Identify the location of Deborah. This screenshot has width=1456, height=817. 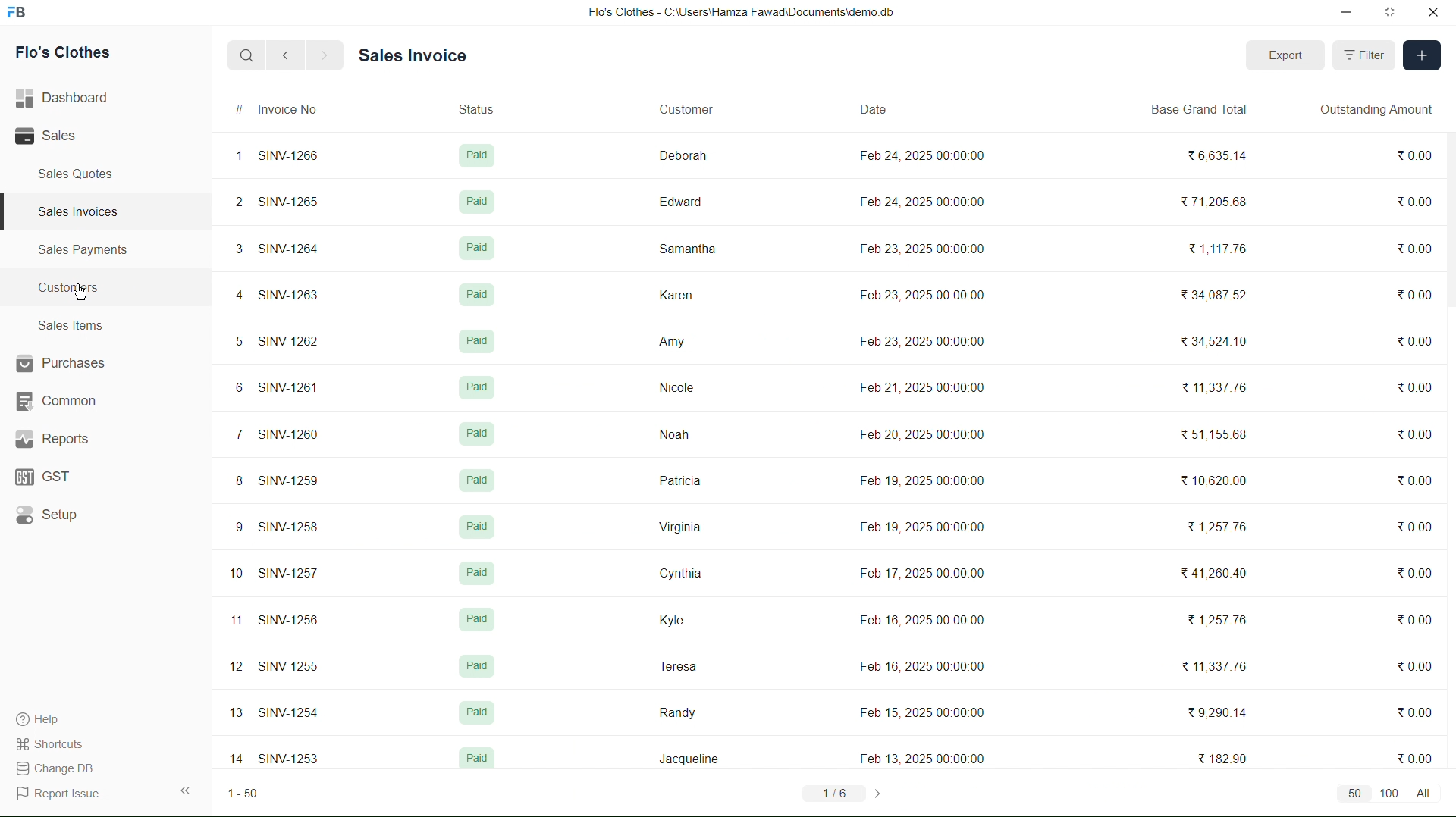
(679, 152).